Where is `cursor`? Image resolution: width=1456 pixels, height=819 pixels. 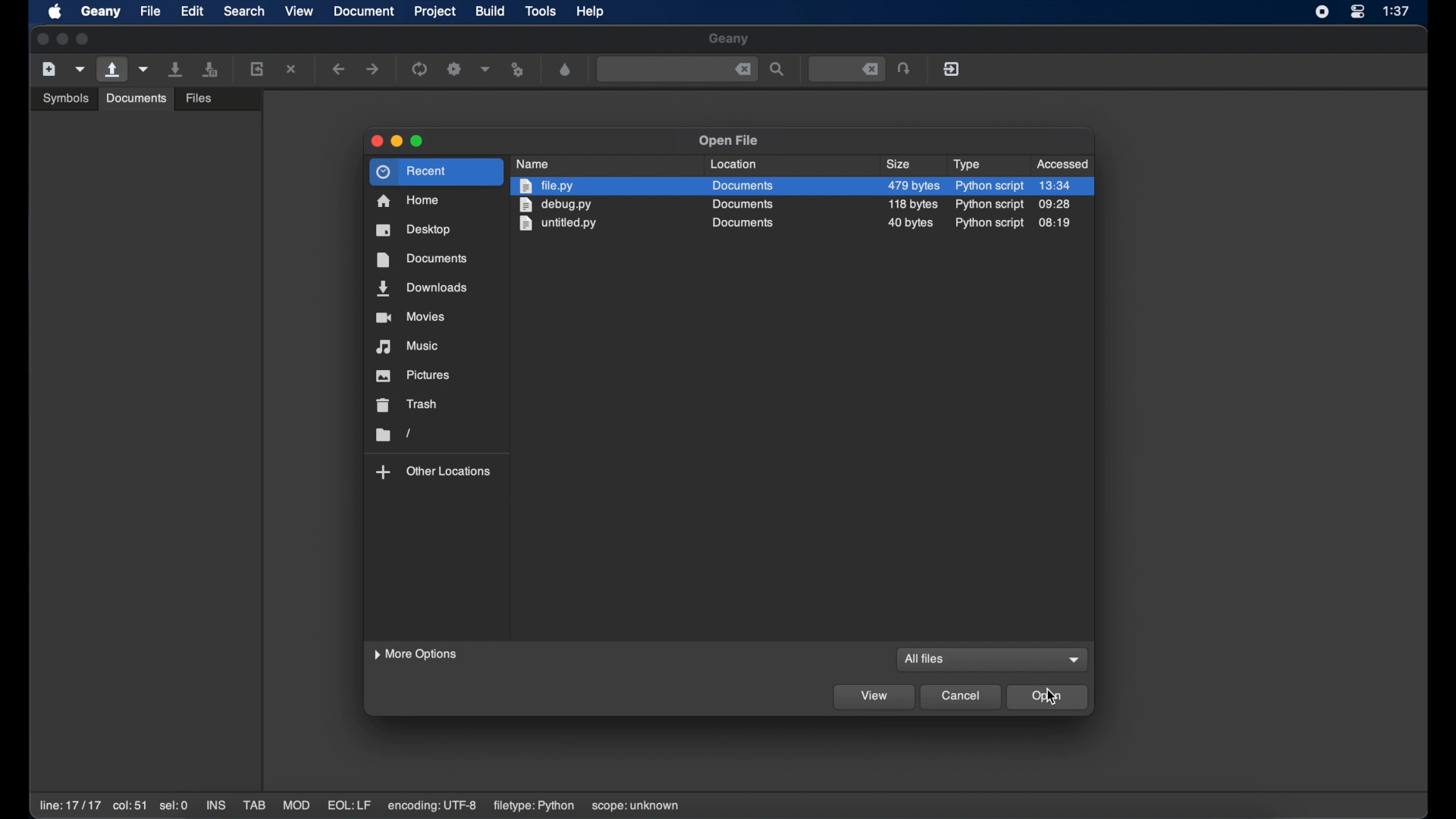 cursor is located at coordinates (1052, 696).